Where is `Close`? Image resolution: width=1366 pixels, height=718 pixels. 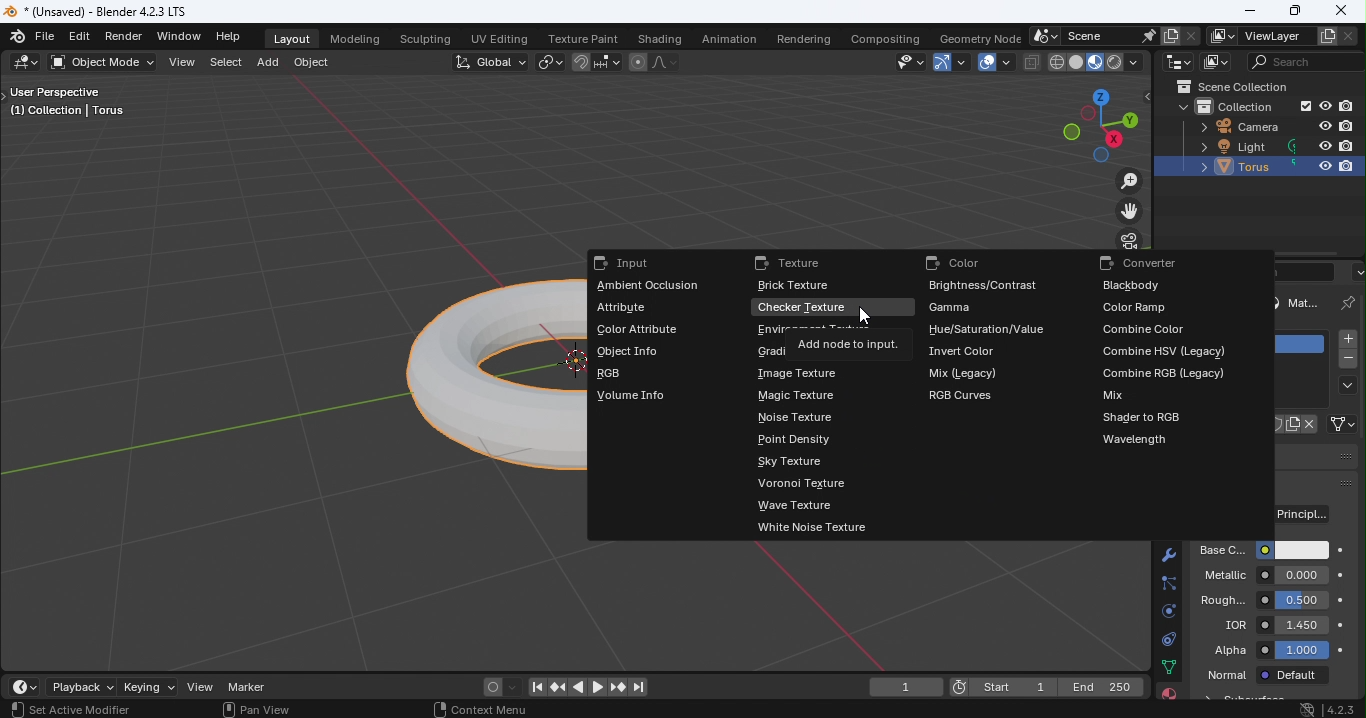
Close is located at coordinates (1341, 12).